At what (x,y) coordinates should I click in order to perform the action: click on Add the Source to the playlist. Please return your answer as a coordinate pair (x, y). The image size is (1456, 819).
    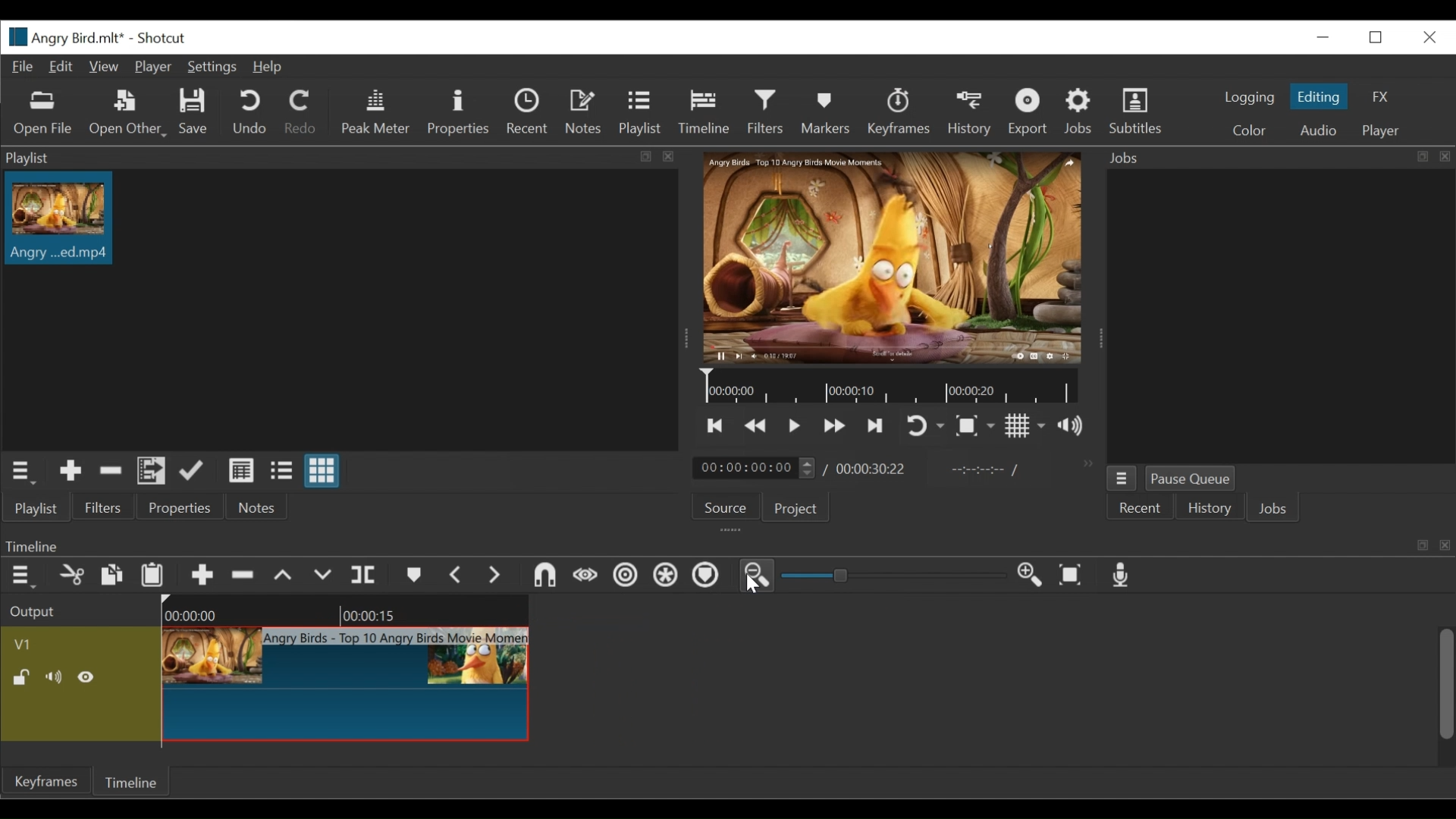
    Looking at the image, I should click on (69, 471).